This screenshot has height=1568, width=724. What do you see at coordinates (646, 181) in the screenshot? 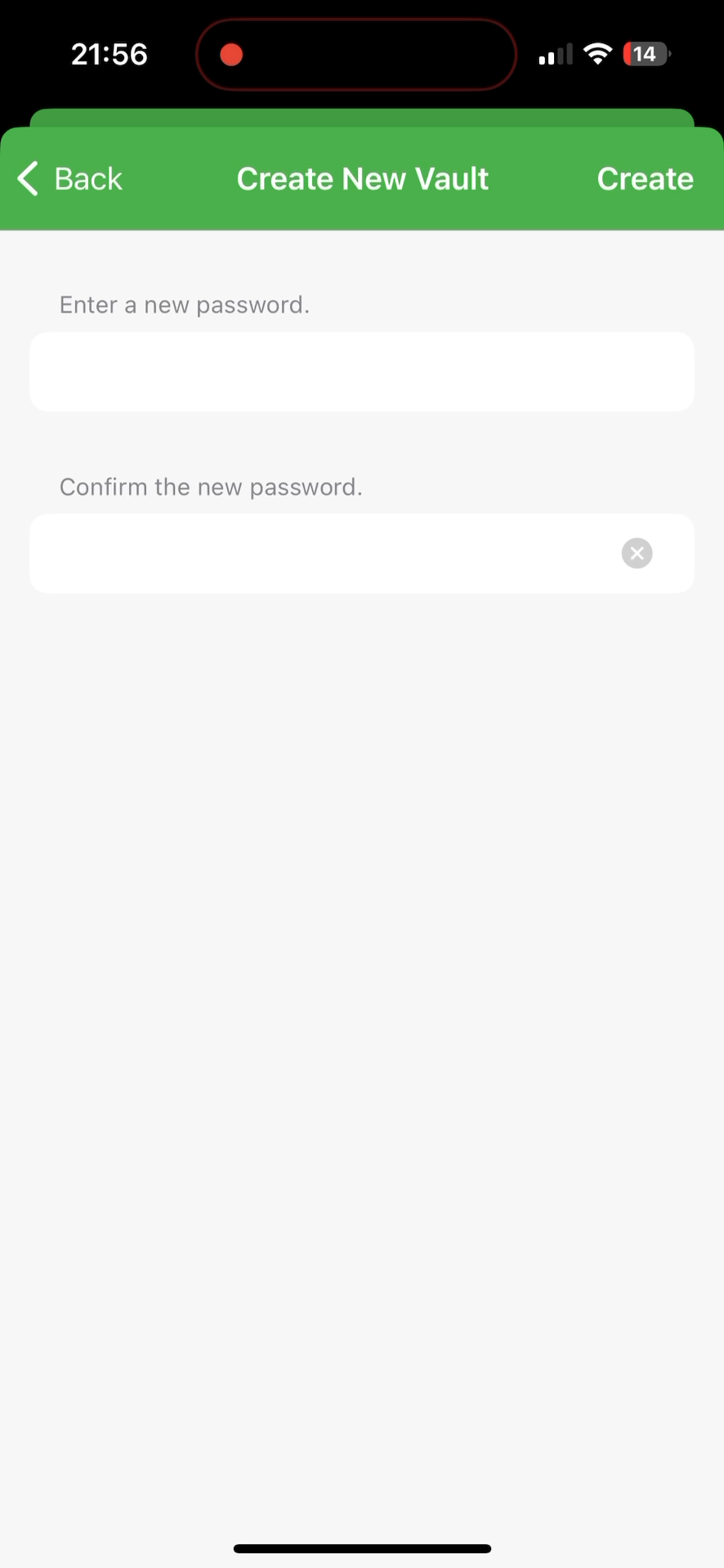
I see `create` at bounding box center [646, 181].